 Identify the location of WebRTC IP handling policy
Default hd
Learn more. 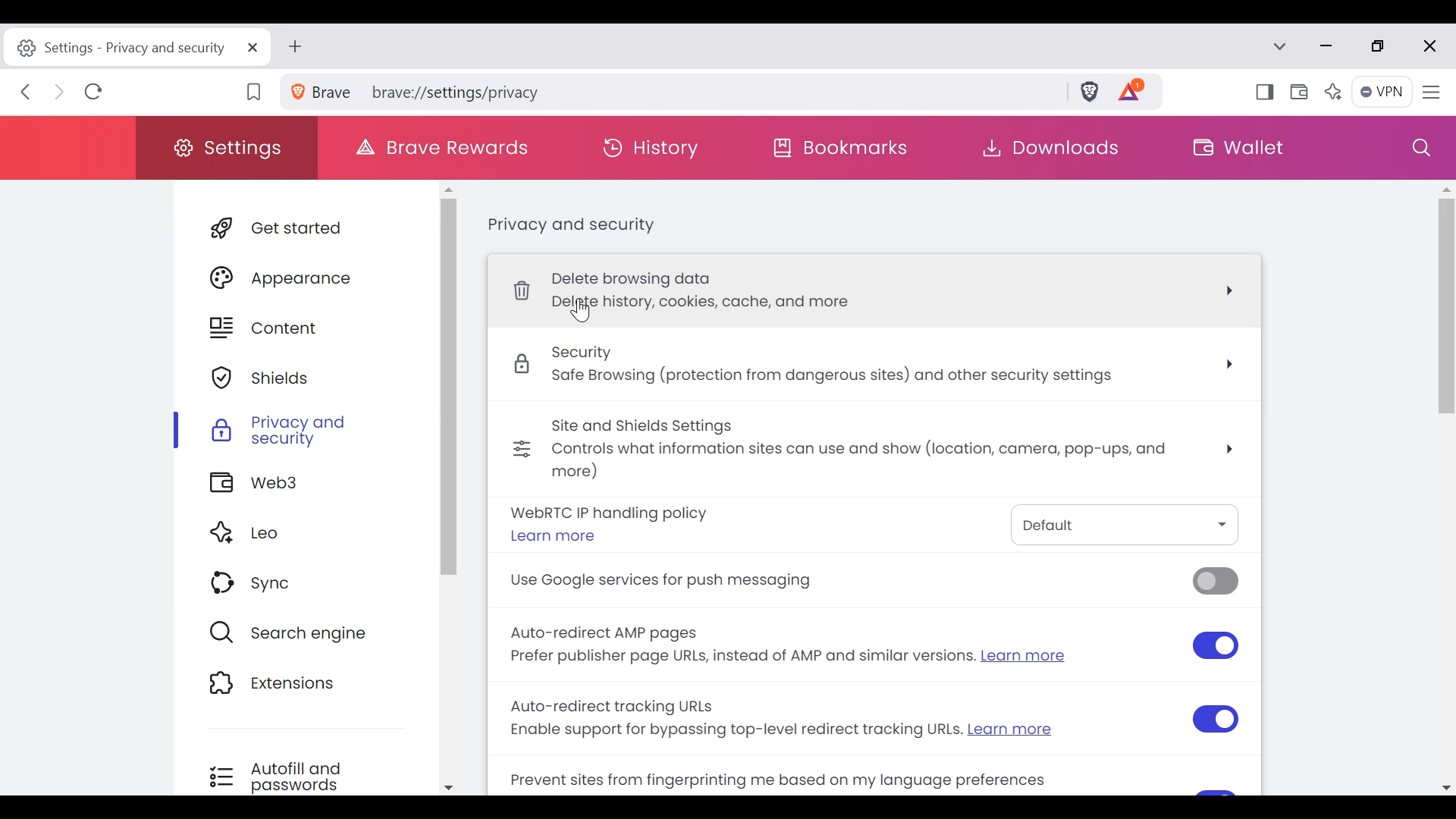
(870, 527).